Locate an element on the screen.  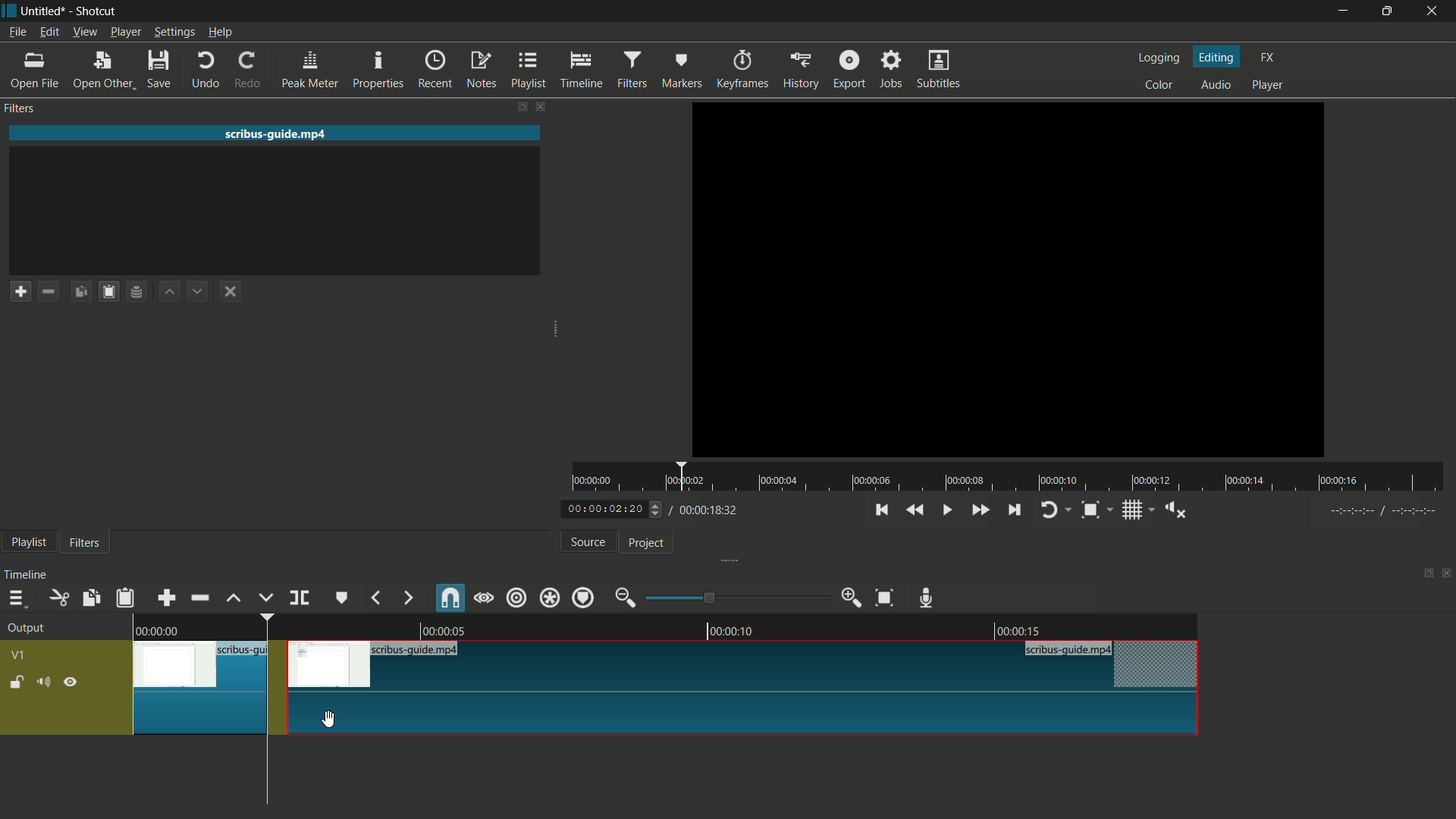
project name is located at coordinates (43, 10).